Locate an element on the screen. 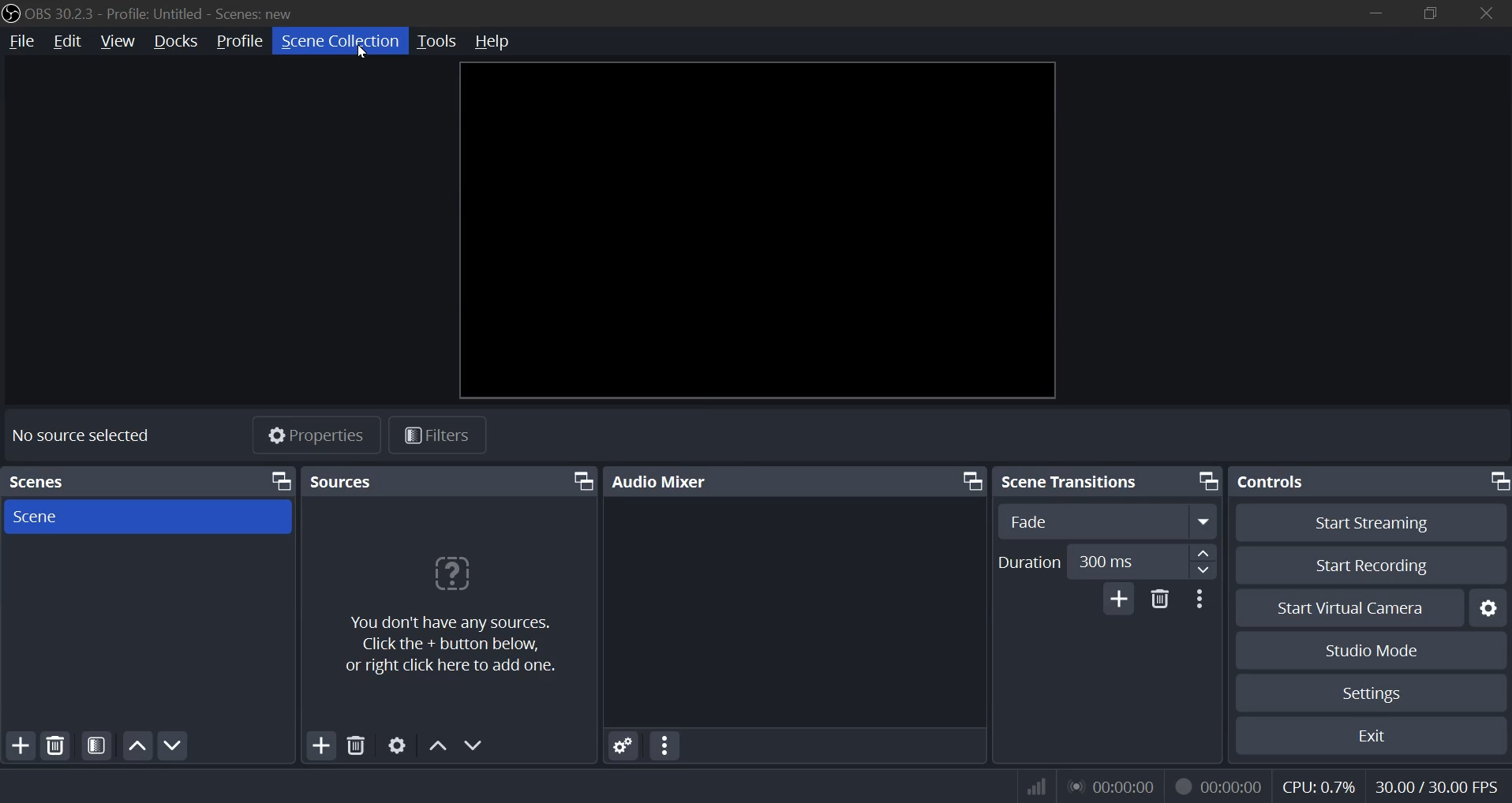 Image resolution: width=1512 pixels, height=803 pixels. more is located at coordinates (1203, 599).